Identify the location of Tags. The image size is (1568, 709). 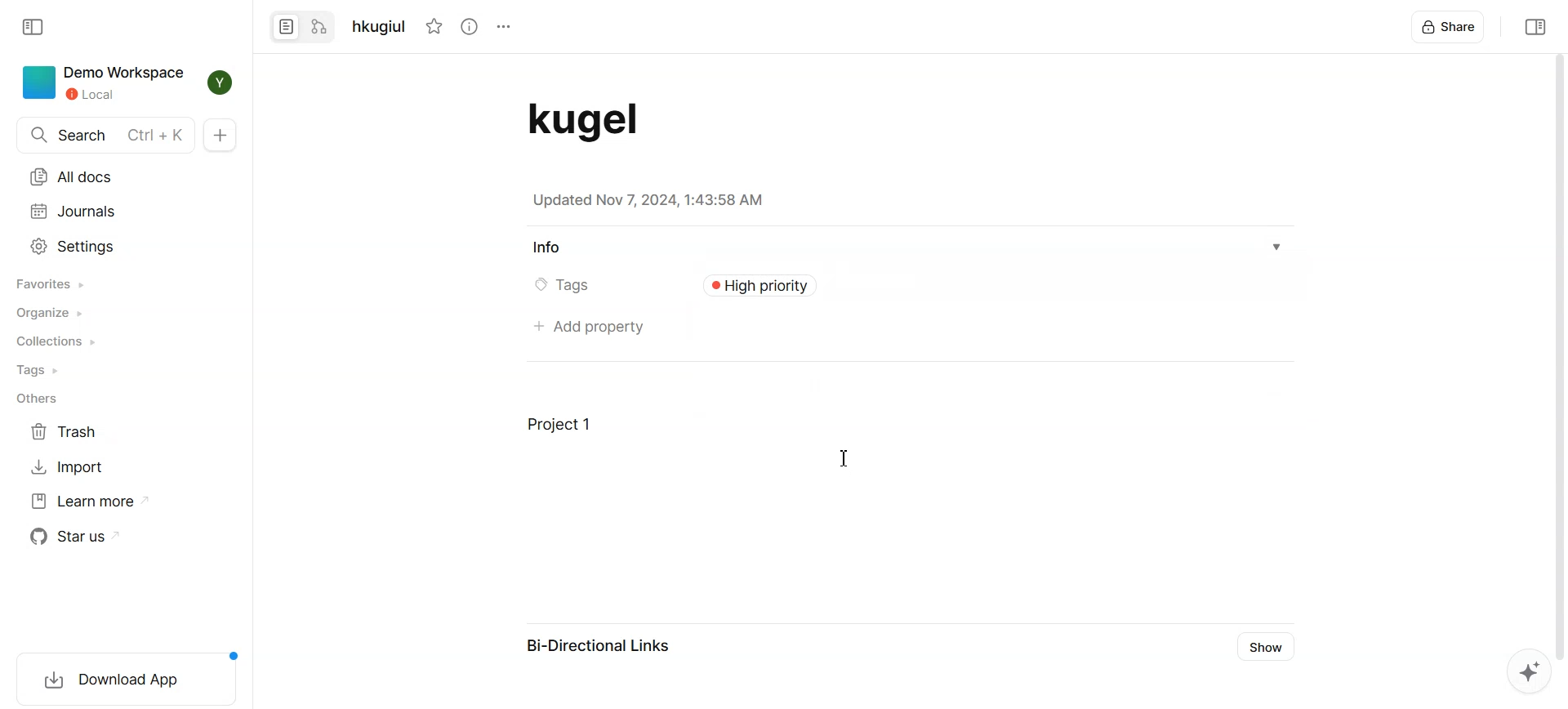
(571, 284).